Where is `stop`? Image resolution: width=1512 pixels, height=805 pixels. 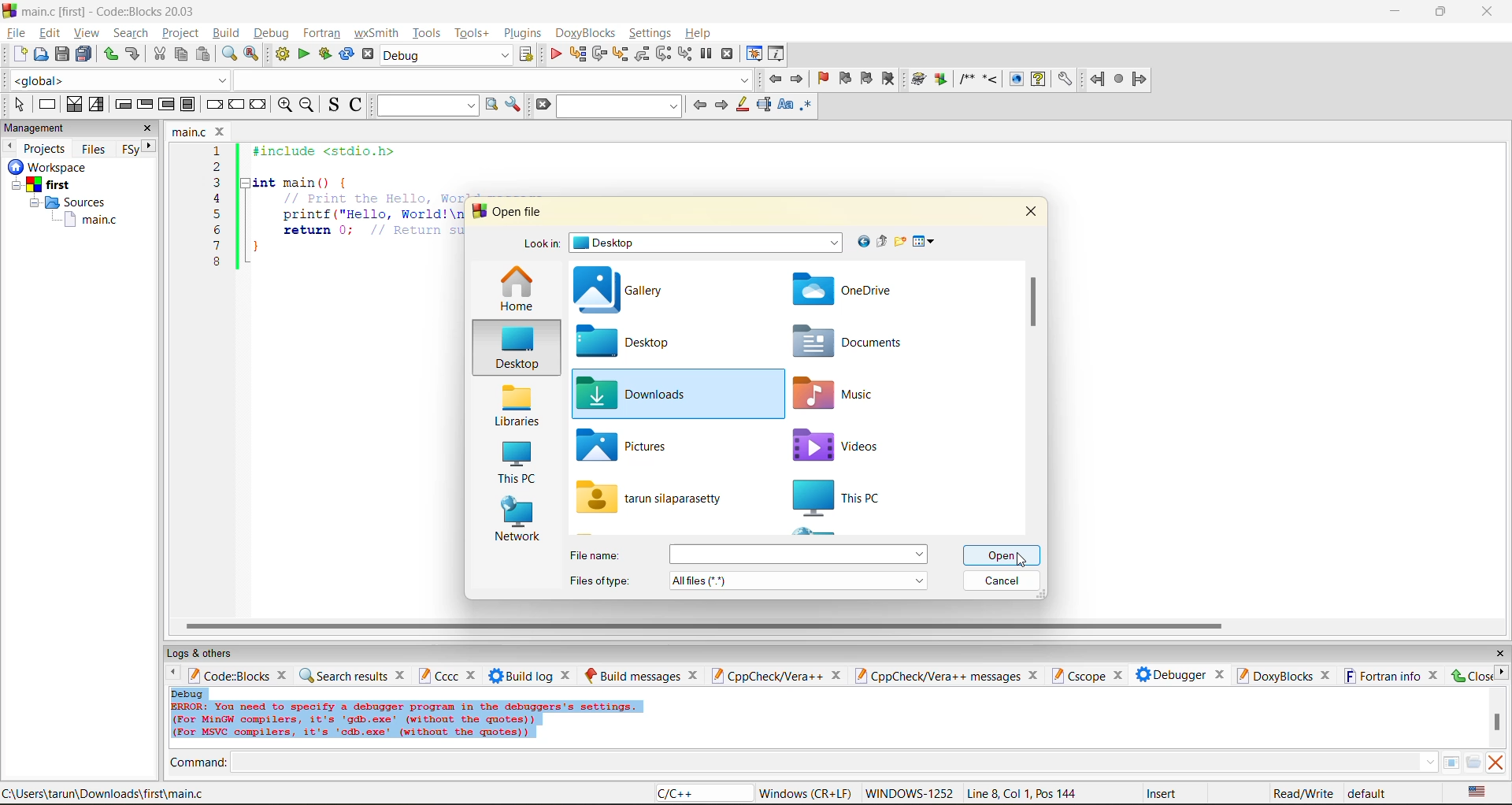 stop is located at coordinates (1120, 80).